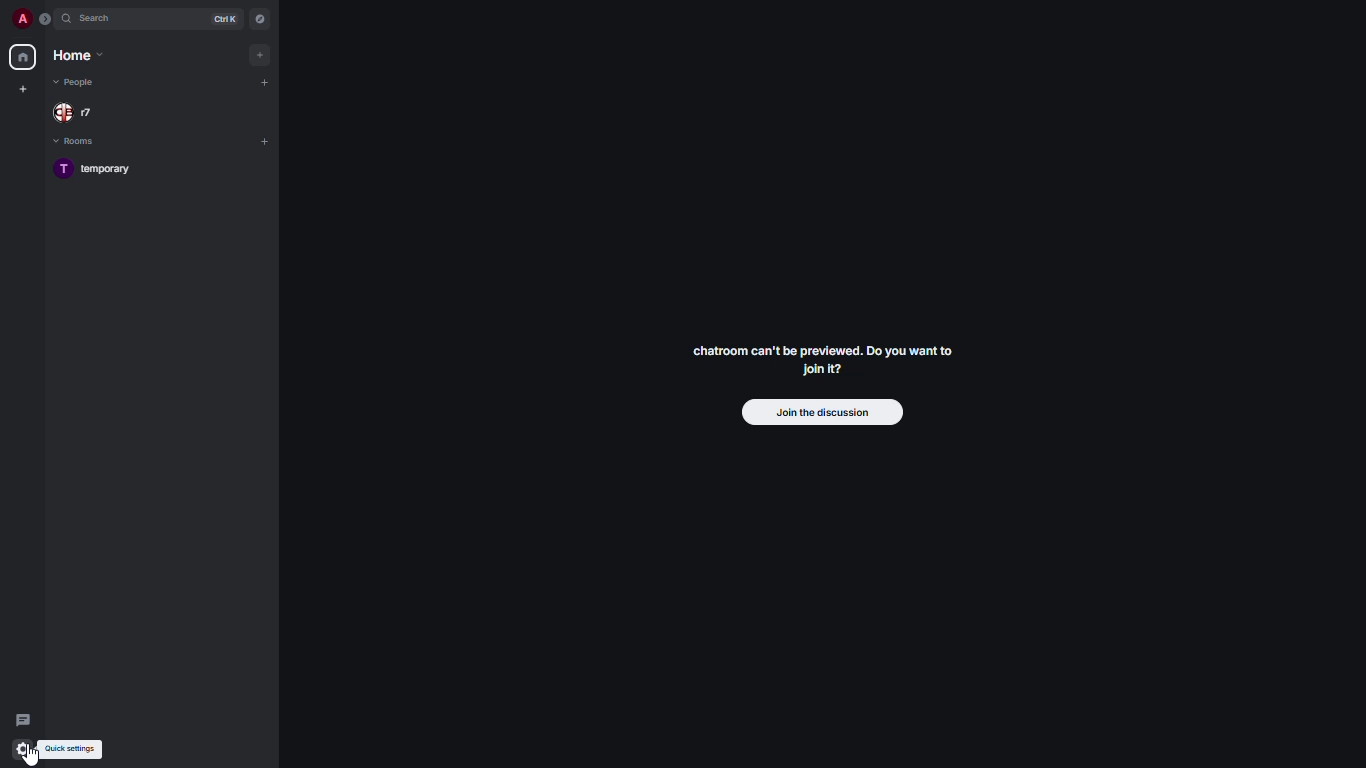  What do you see at coordinates (816, 412) in the screenshot?
I see `join the discussion` at bounding box center [816, 412].